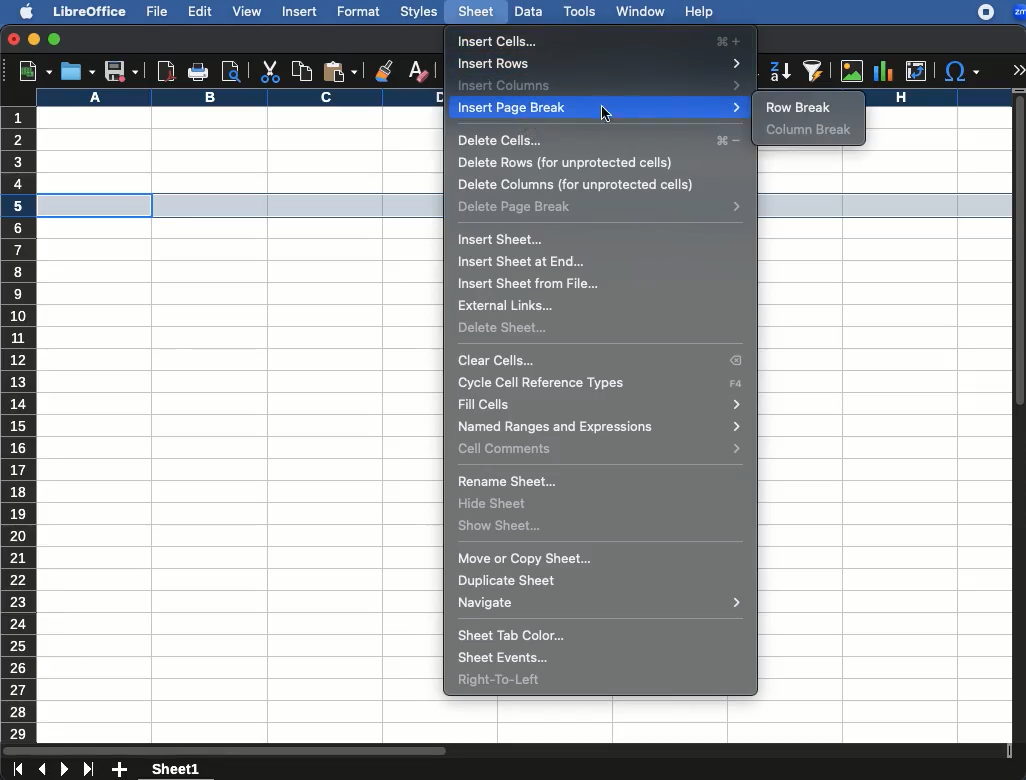 Image resolution: width=1026 pixels, height=780 pixels. I want to click on insert, so click(303, 12).